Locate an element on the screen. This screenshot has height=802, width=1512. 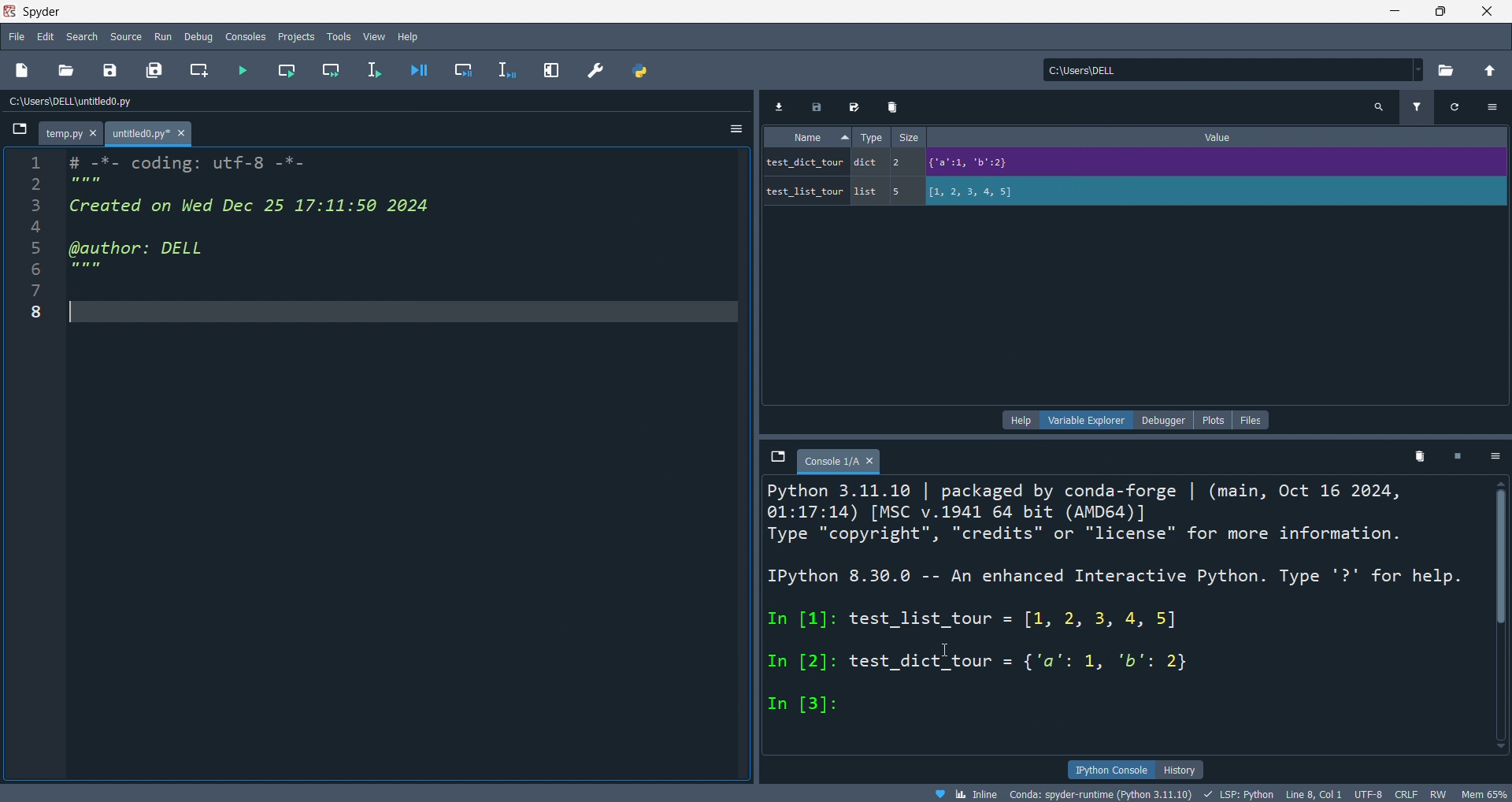
temp.py is located at coordinates (75, 132).